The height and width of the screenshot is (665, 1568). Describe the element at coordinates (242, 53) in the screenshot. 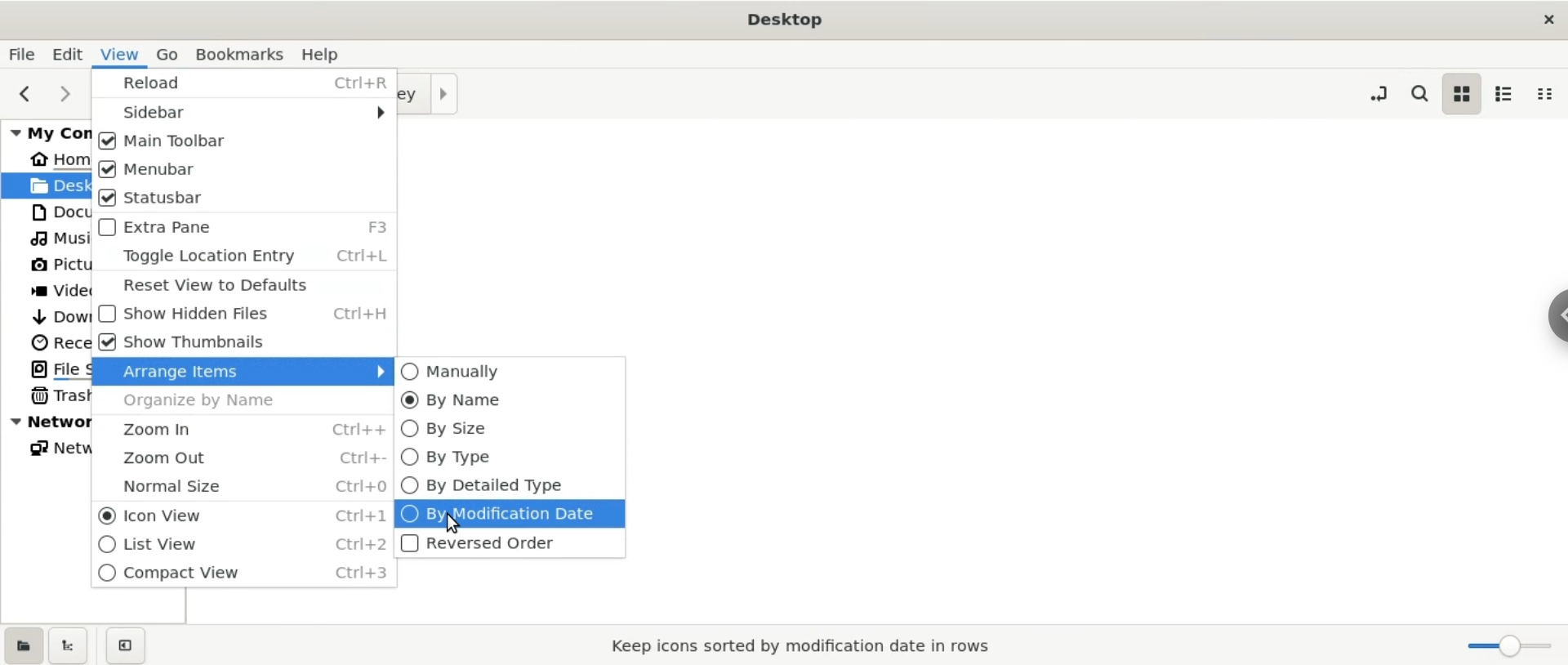

I see `bookmarks` at that location.